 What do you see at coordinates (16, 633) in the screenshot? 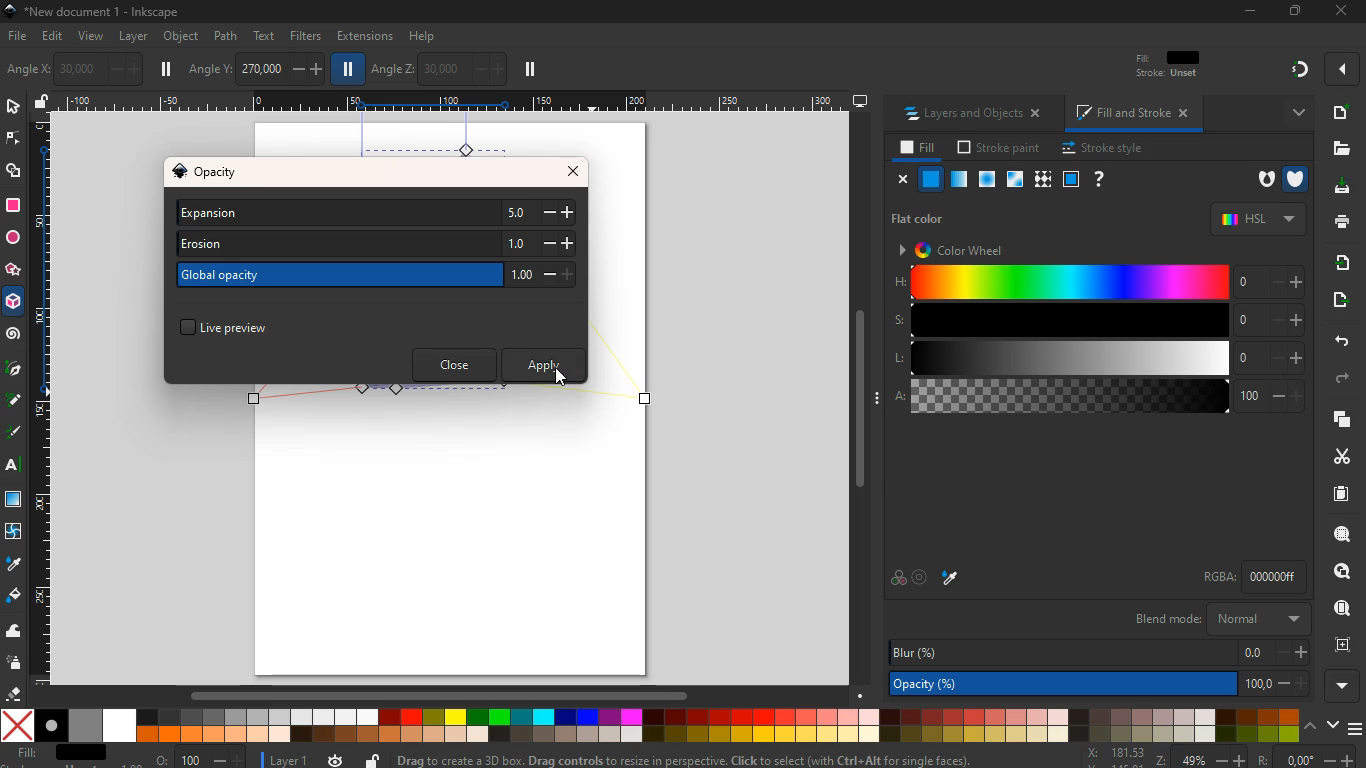
I see `wave` at bounding box center [16, 633].